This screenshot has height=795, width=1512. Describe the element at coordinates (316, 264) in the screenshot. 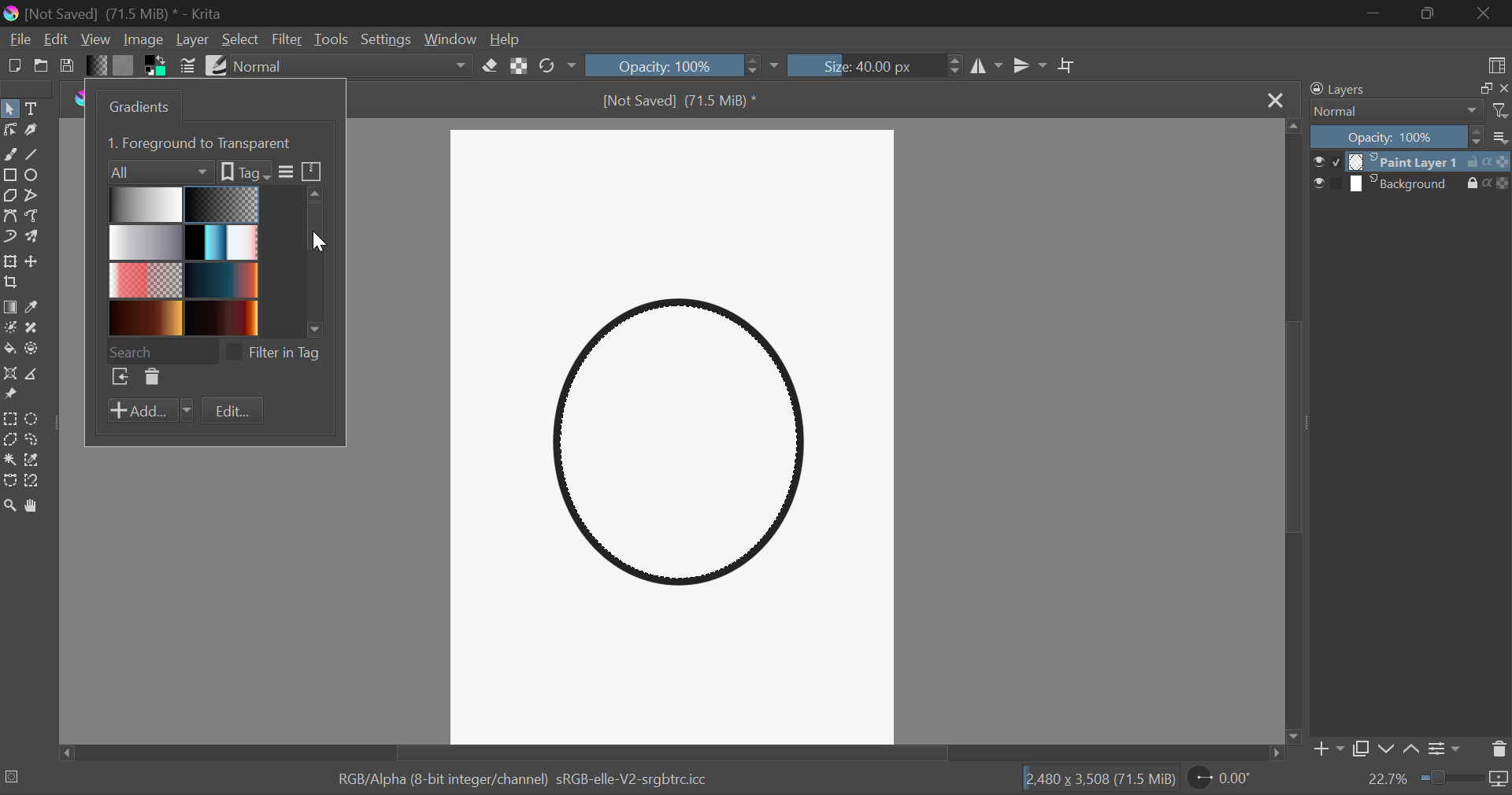

I see `scroll bar` at that location.